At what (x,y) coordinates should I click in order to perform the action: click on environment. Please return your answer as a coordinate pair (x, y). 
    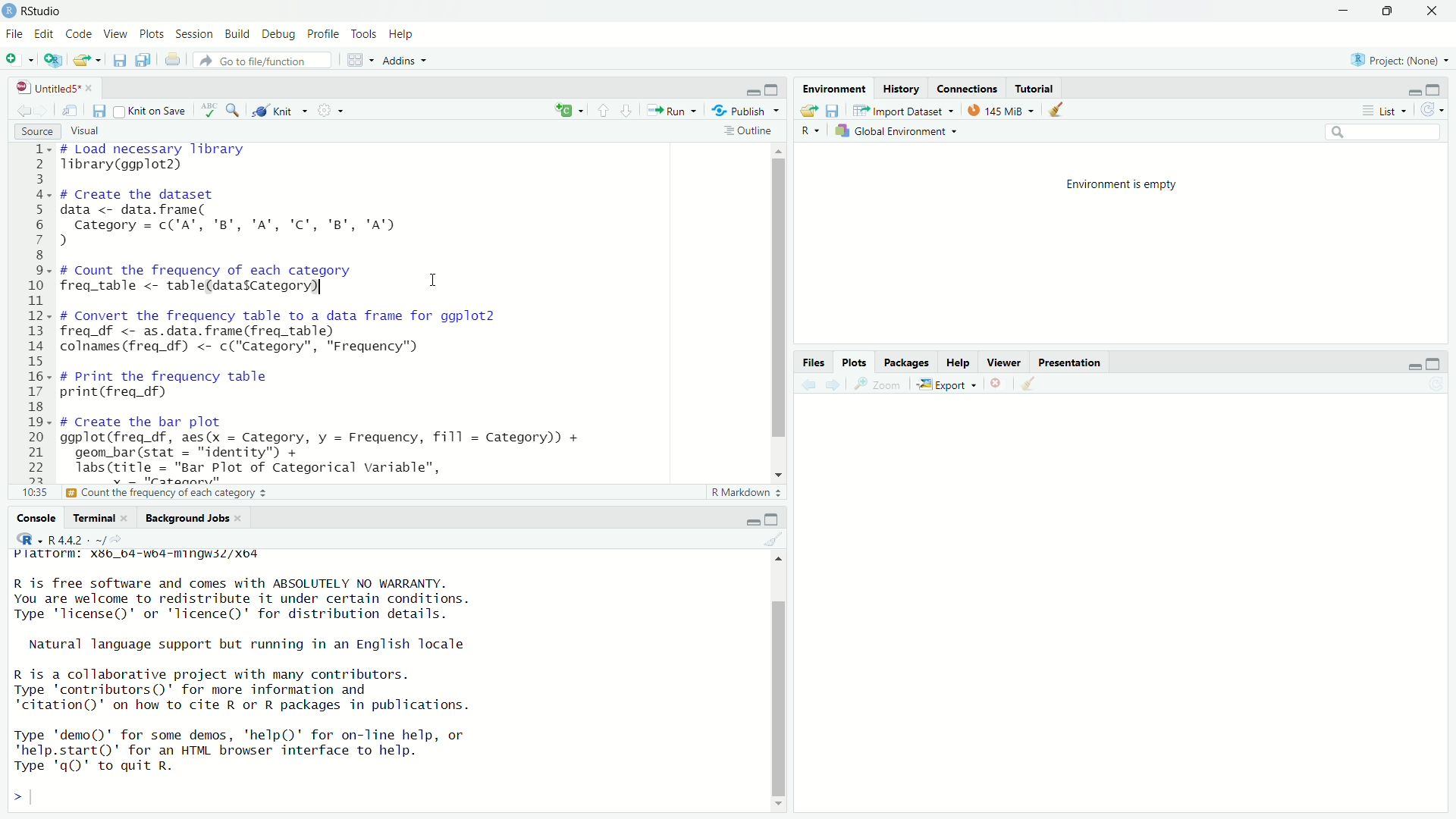
    Looking at the image, I should click on (836, 88).